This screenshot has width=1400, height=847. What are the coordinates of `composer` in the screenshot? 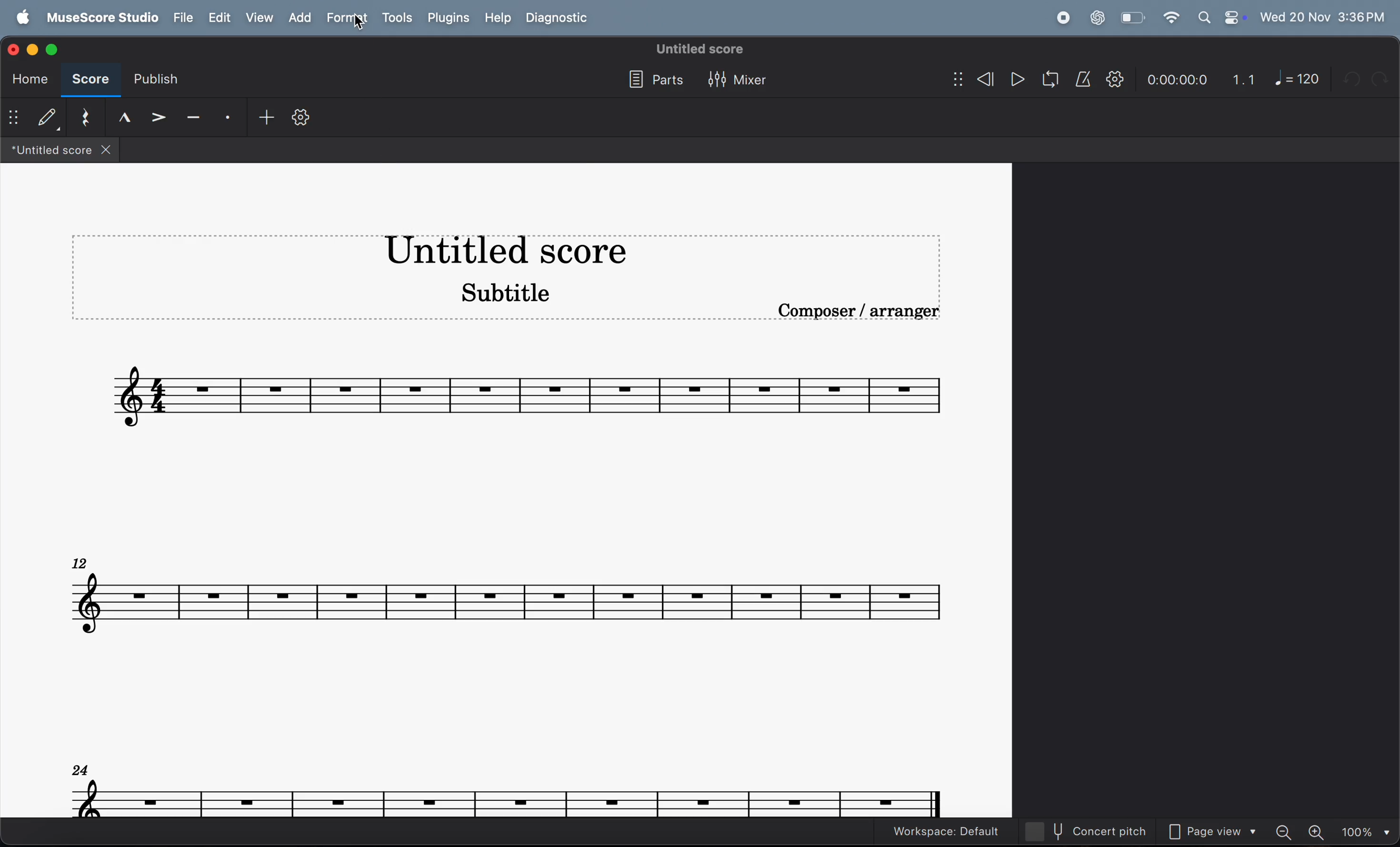 It's located at (862, 314).